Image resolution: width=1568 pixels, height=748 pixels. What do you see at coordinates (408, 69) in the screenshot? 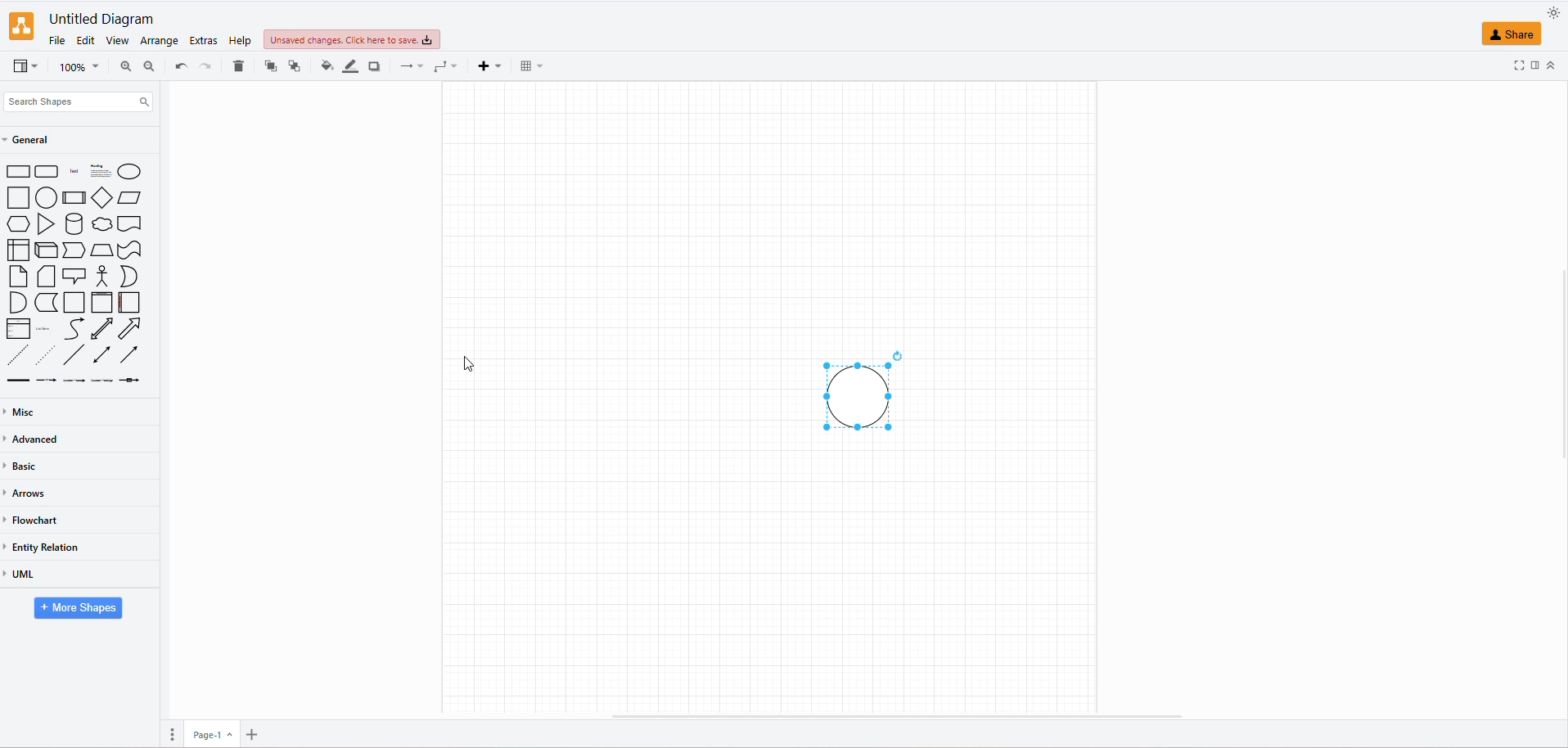
I see `CONNECTION` at bounding box center [408, 69].